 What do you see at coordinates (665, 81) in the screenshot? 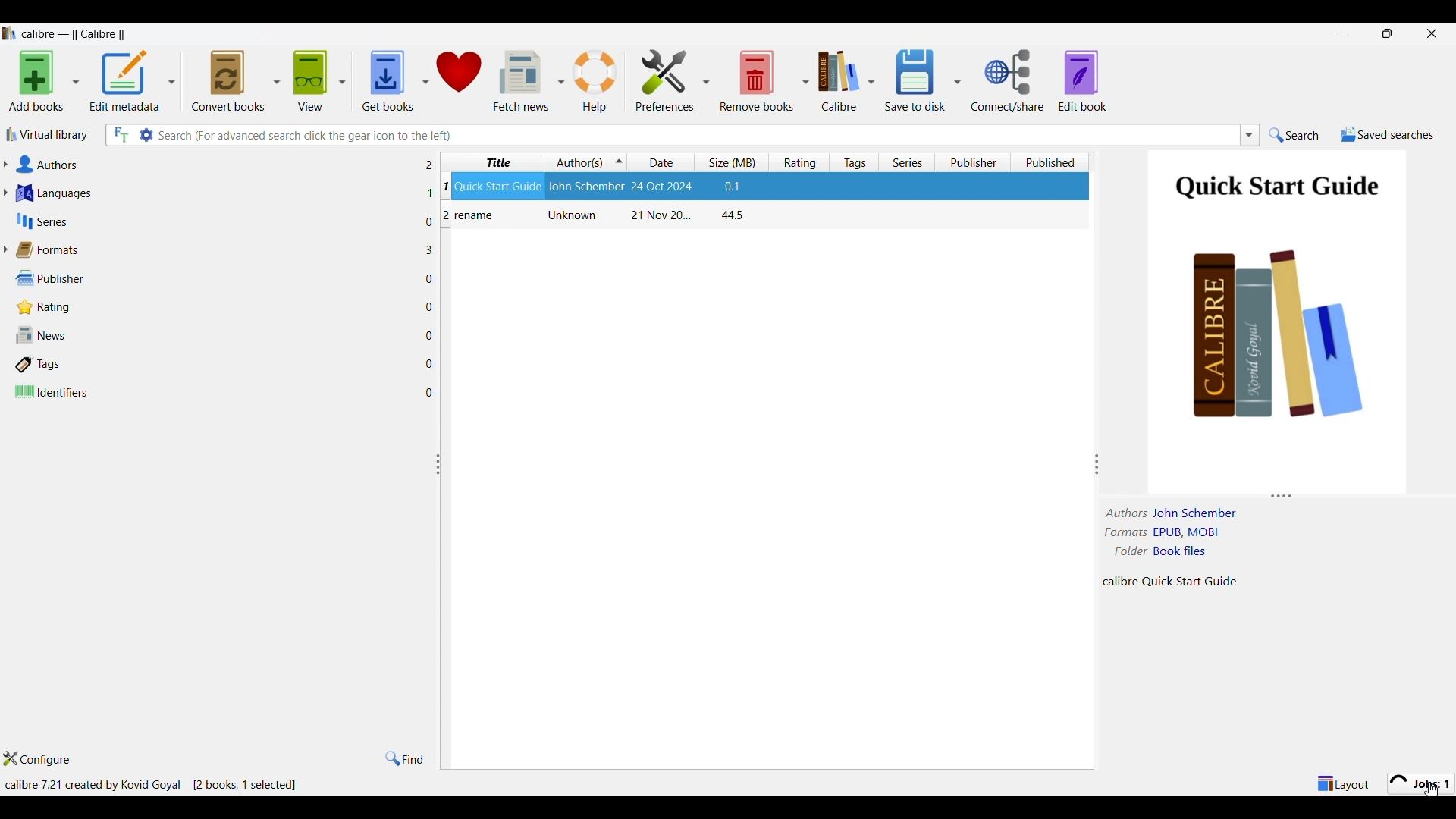
I see `Preferences` at bounding box center [665, 81].